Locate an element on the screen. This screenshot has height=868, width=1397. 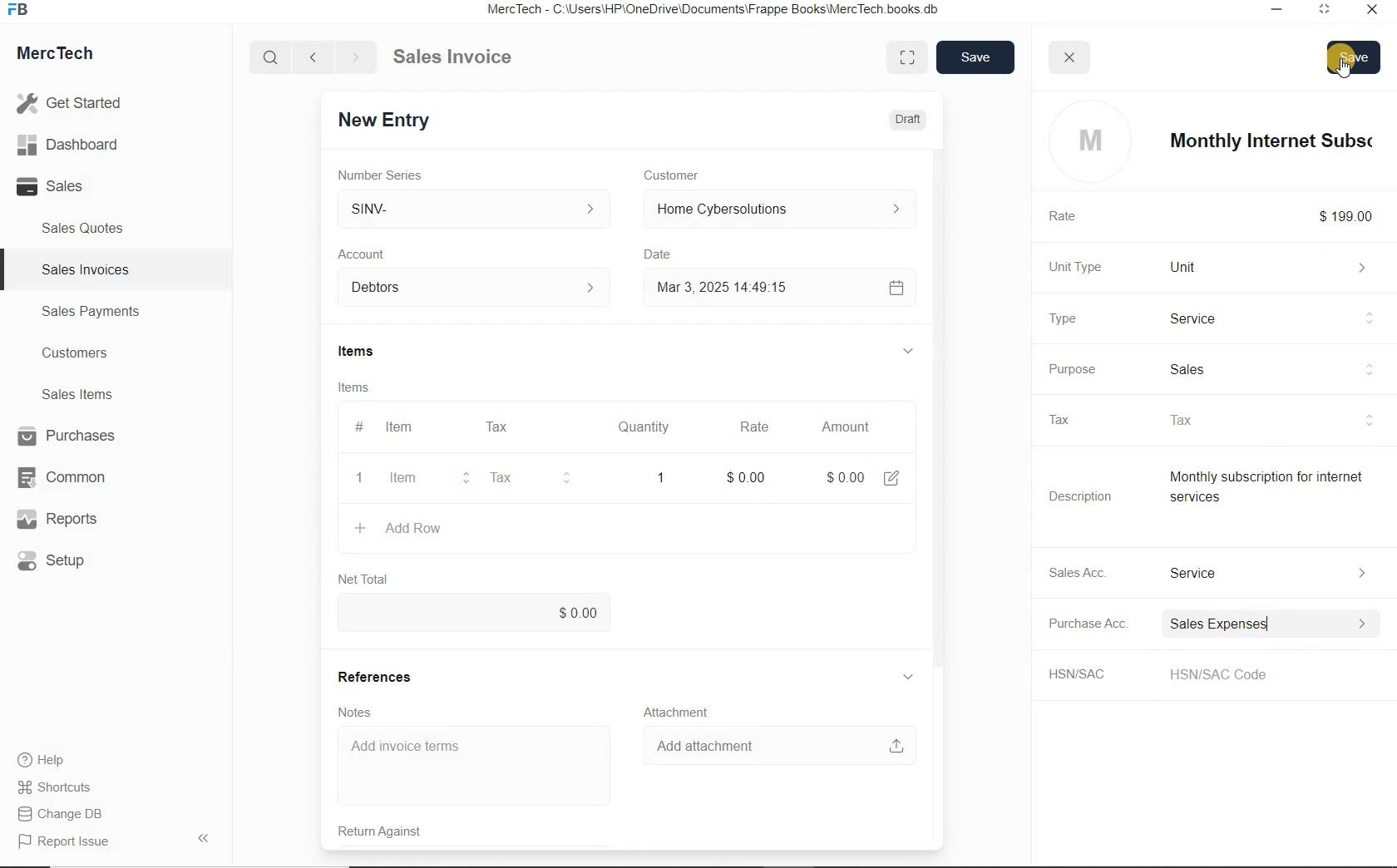
Sales Invoice is located at coordinates (454, 58).